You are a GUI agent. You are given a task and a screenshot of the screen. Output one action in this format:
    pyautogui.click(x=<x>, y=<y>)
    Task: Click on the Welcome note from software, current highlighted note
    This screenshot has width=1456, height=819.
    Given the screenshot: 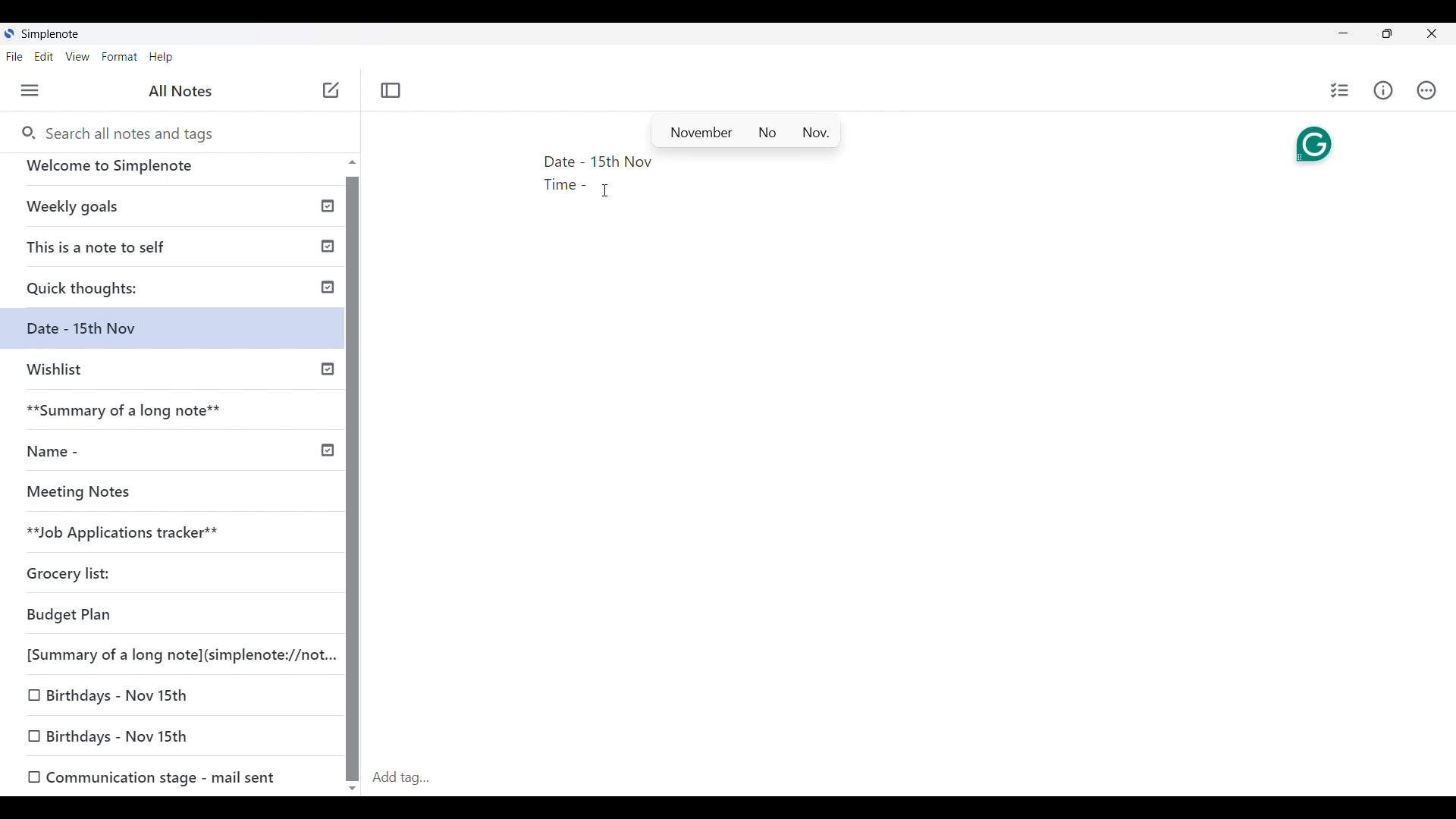 What is the action you would take?
    pyautogui.click(x=173, y=172)
    